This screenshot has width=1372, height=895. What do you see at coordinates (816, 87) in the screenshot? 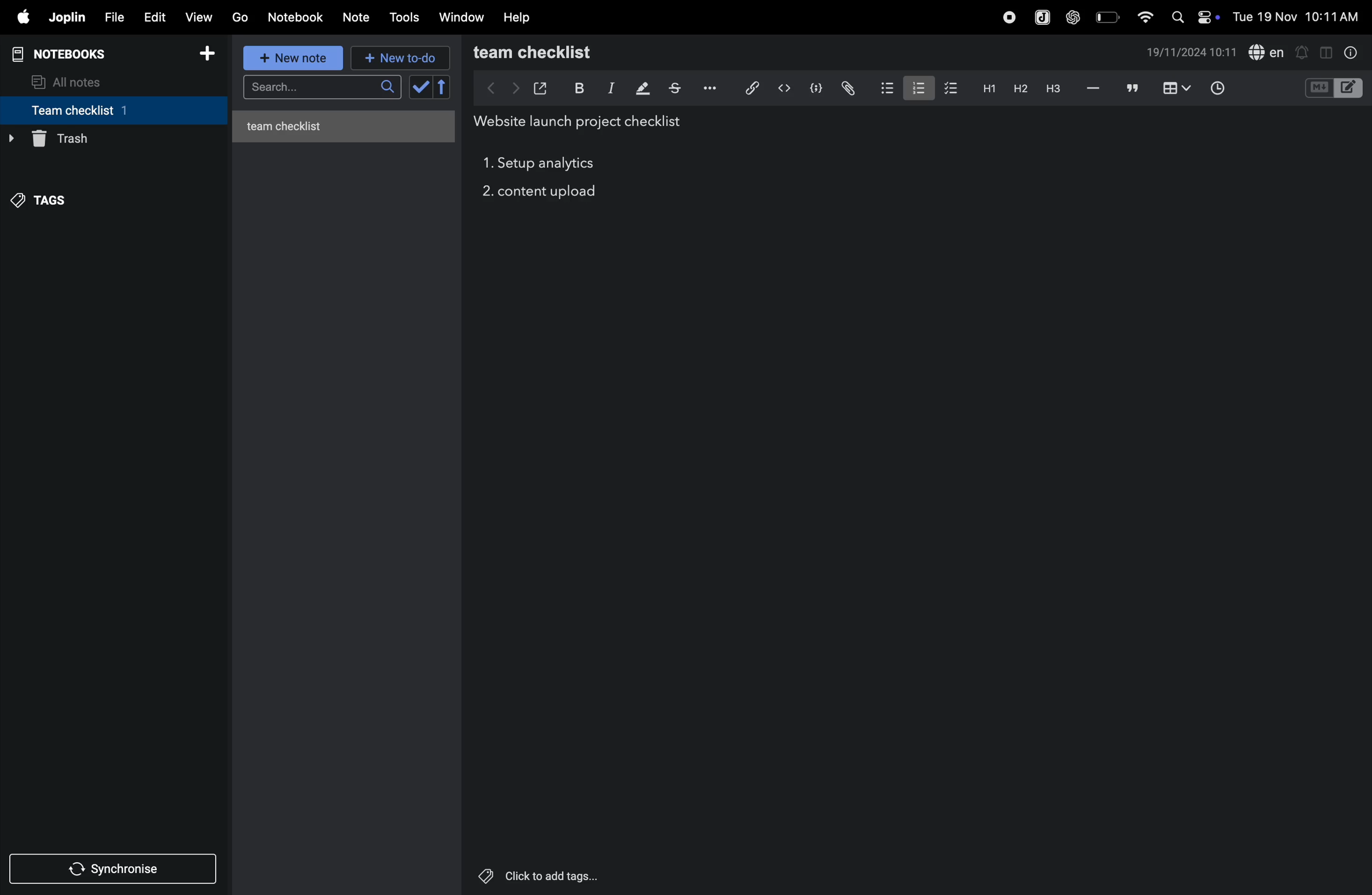
I see `code block` at bounding box center [816, 87].